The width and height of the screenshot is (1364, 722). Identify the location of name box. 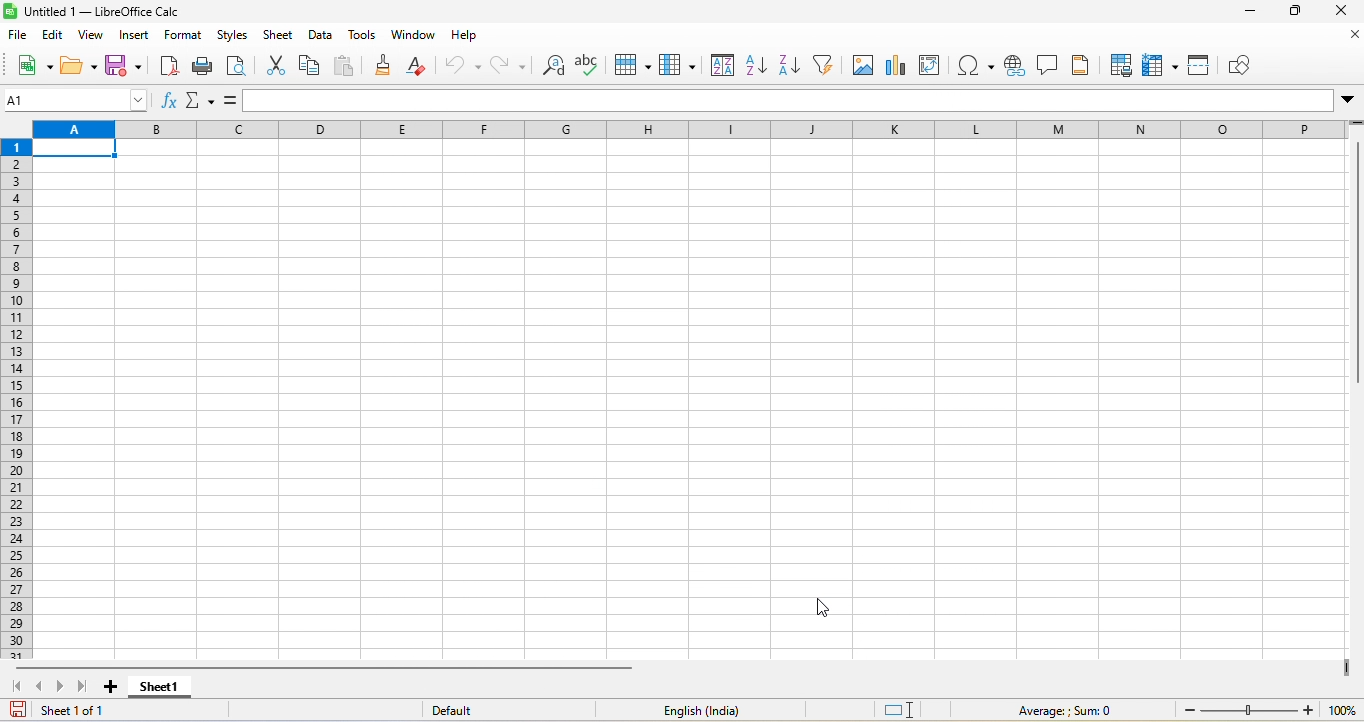
(77, 100).